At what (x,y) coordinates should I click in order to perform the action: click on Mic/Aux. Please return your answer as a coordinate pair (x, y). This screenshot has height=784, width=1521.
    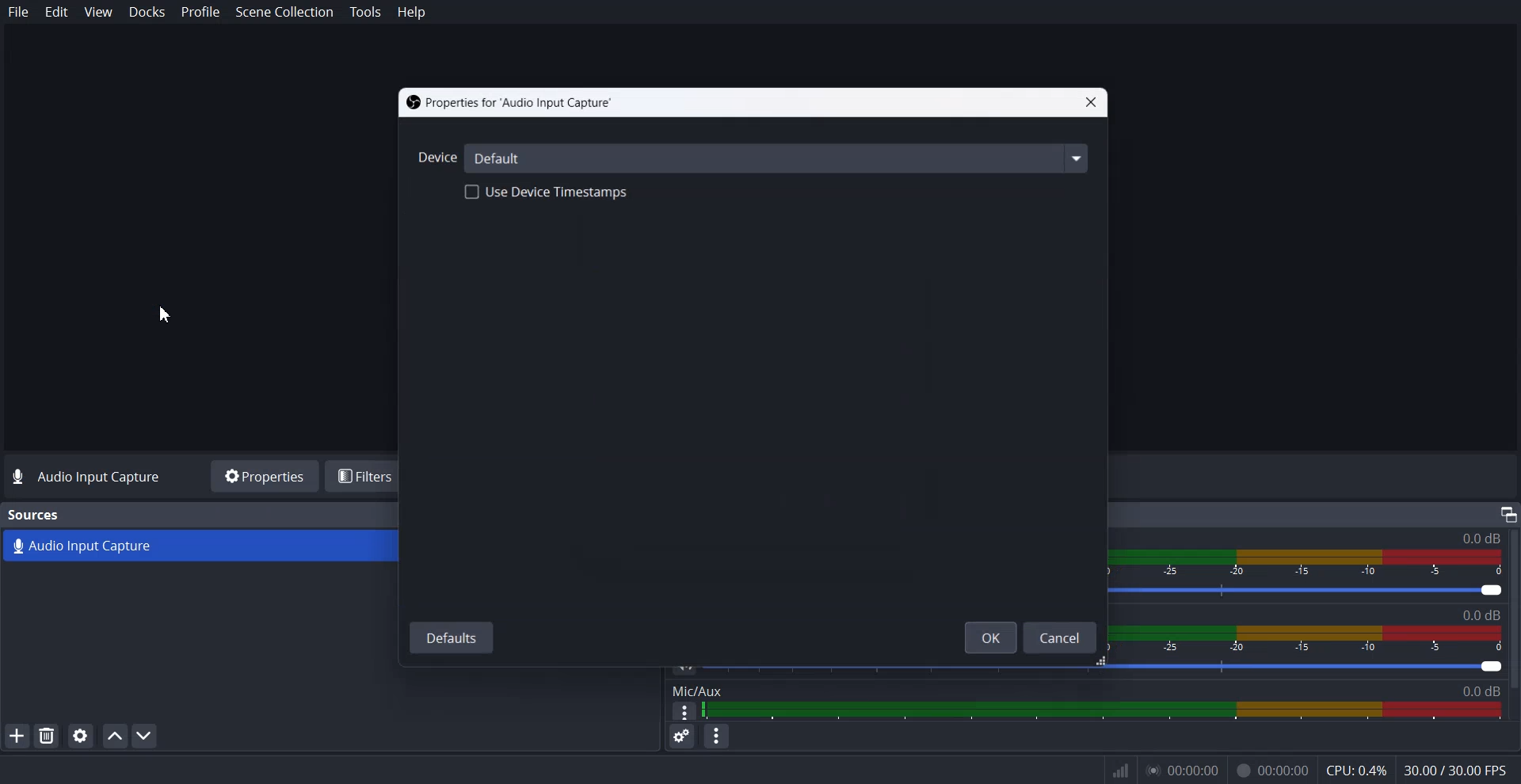
    Looking at the image, I should click on (696, 691).